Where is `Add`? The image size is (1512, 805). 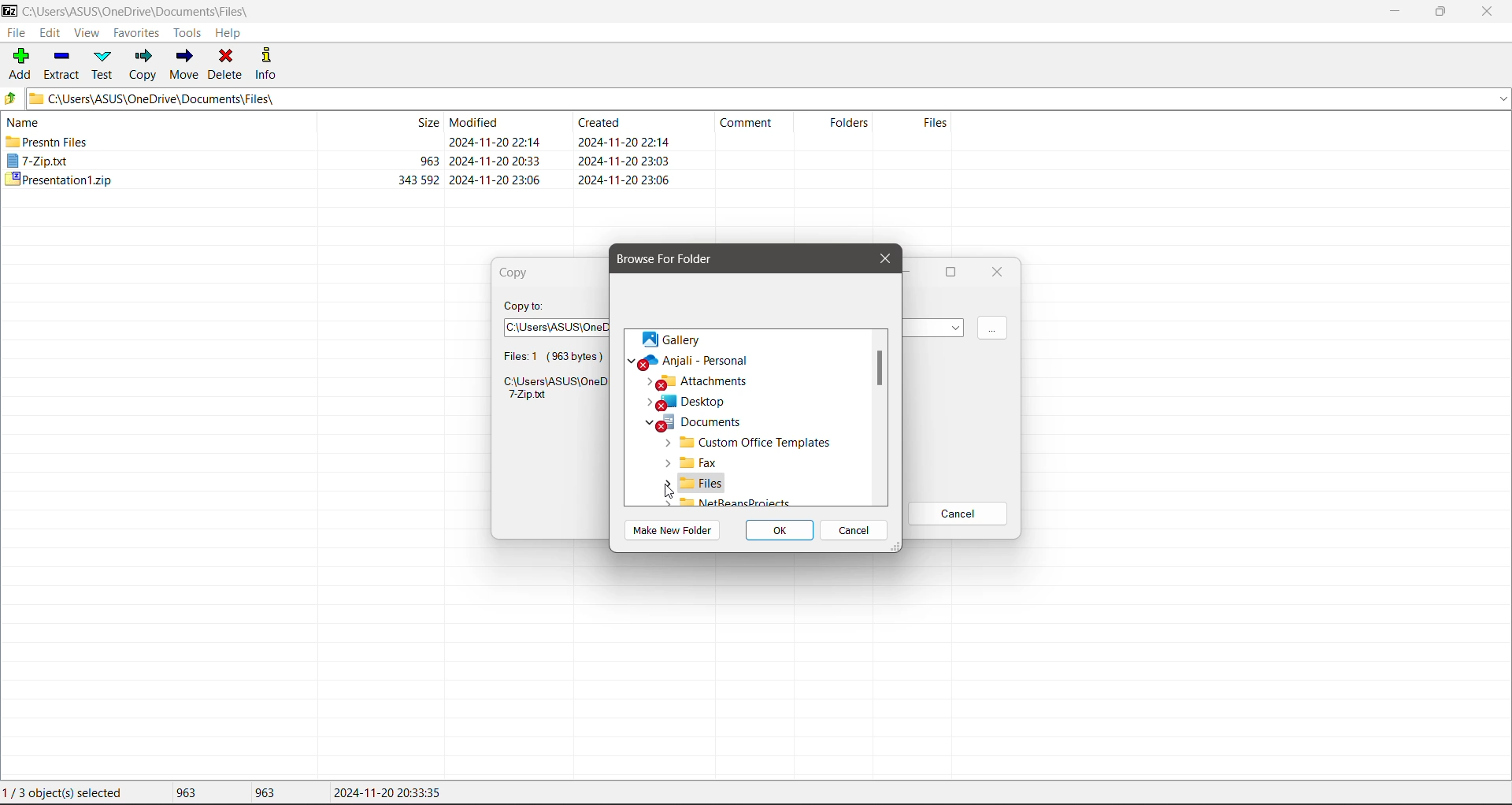 Add is located at coordinates (18, 65).